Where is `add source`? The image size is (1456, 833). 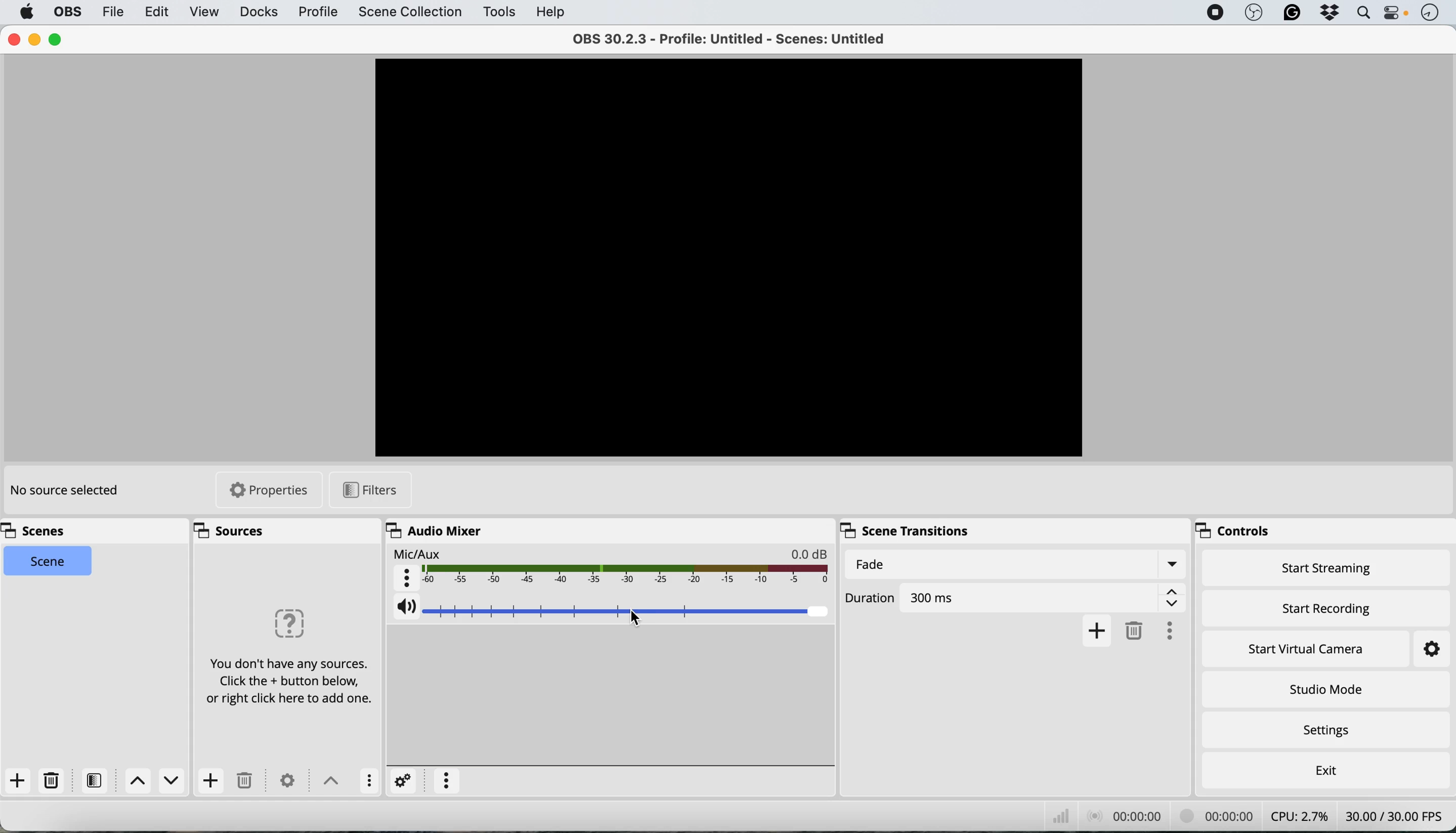
add source is located at coordinates (211, 782).